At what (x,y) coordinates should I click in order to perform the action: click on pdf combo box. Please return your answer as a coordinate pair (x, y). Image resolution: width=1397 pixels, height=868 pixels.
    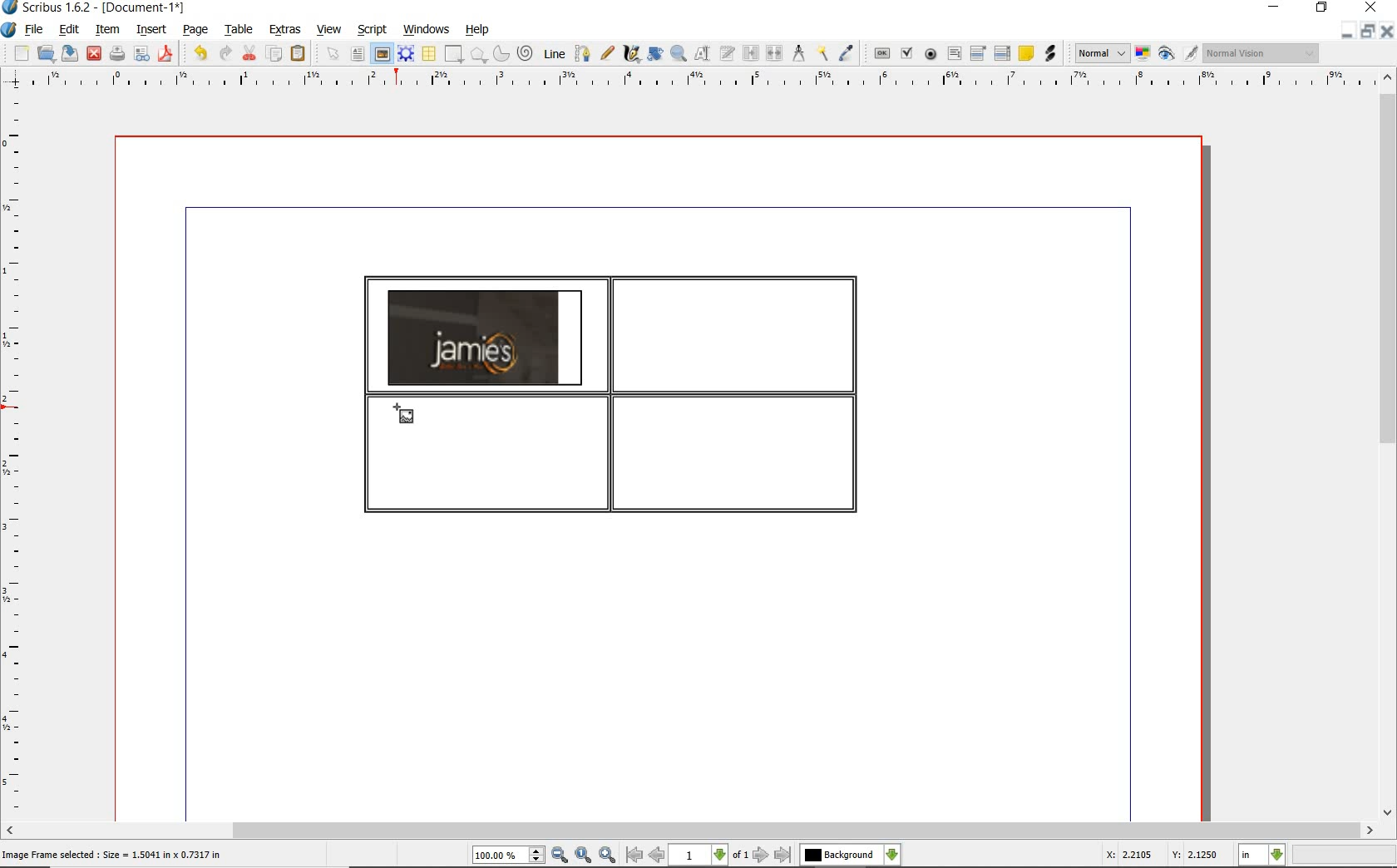
    Looking at the image, I should click on (980, 54).